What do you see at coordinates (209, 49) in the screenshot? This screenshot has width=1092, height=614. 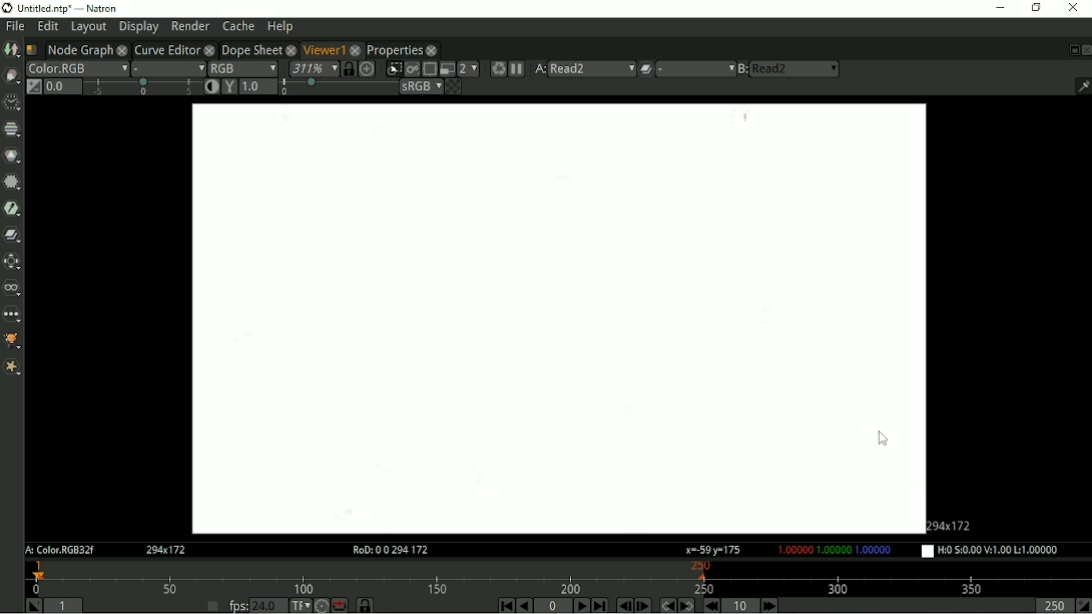 I see `close` at bounding box center [209, 49].